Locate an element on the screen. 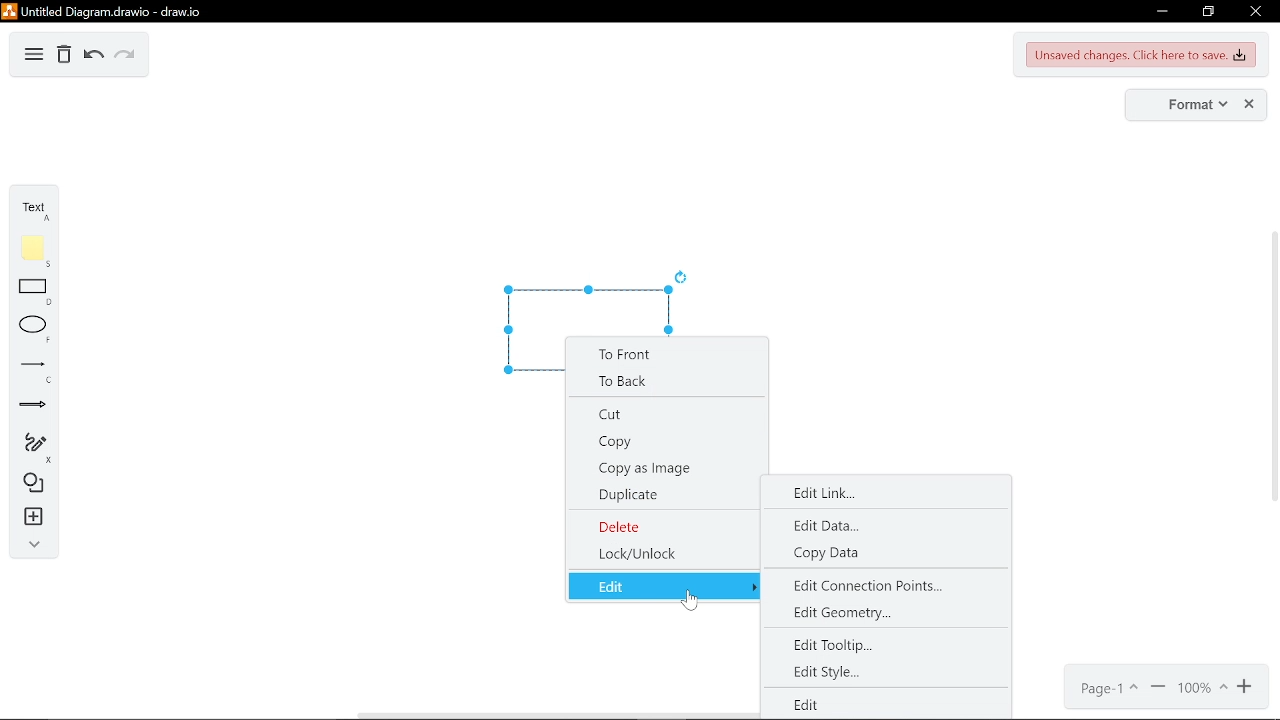  zoom in is located at coordinates (1247, 687).